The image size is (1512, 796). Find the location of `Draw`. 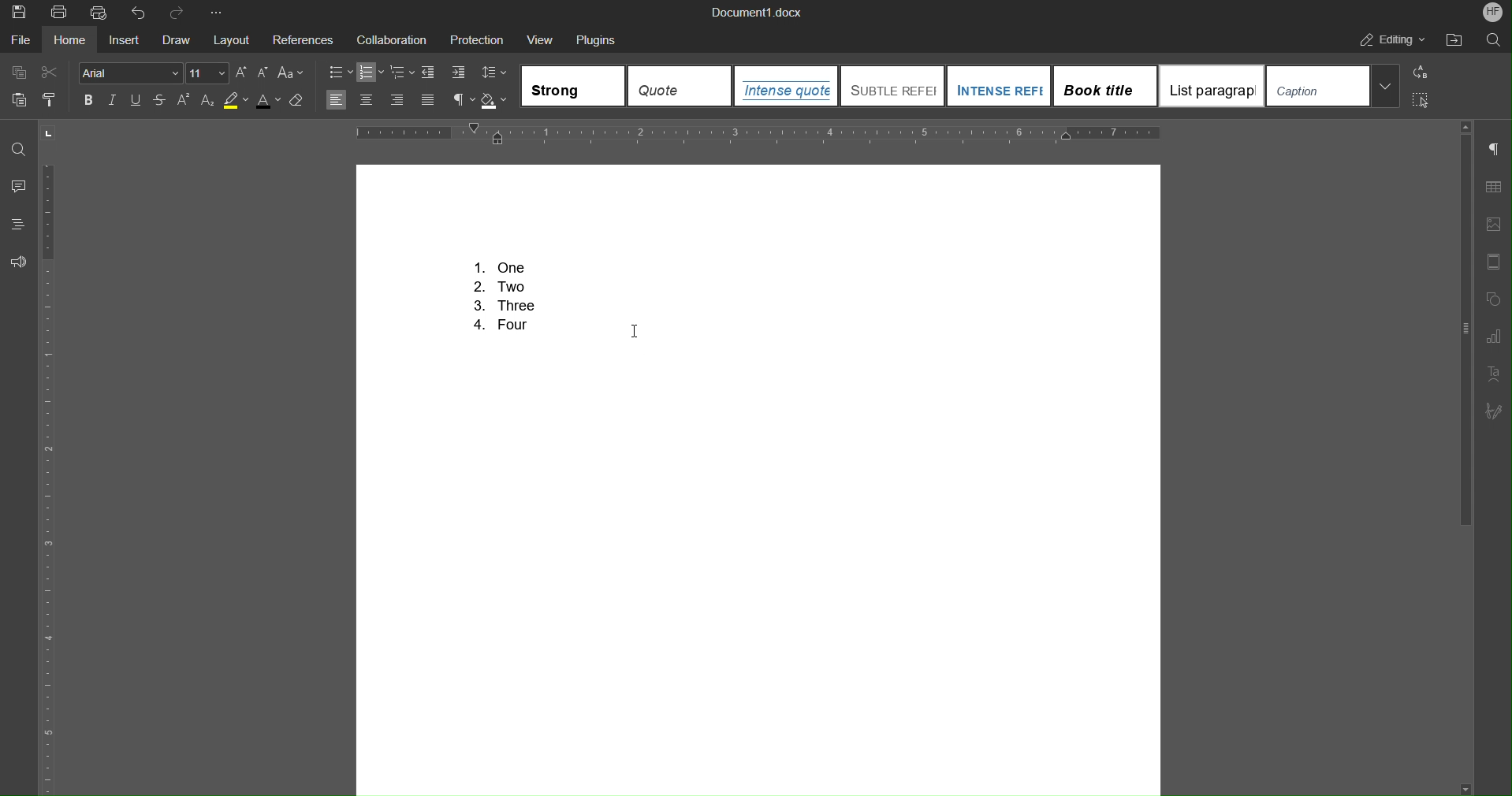

Draw is located at coordinates (177, 37).